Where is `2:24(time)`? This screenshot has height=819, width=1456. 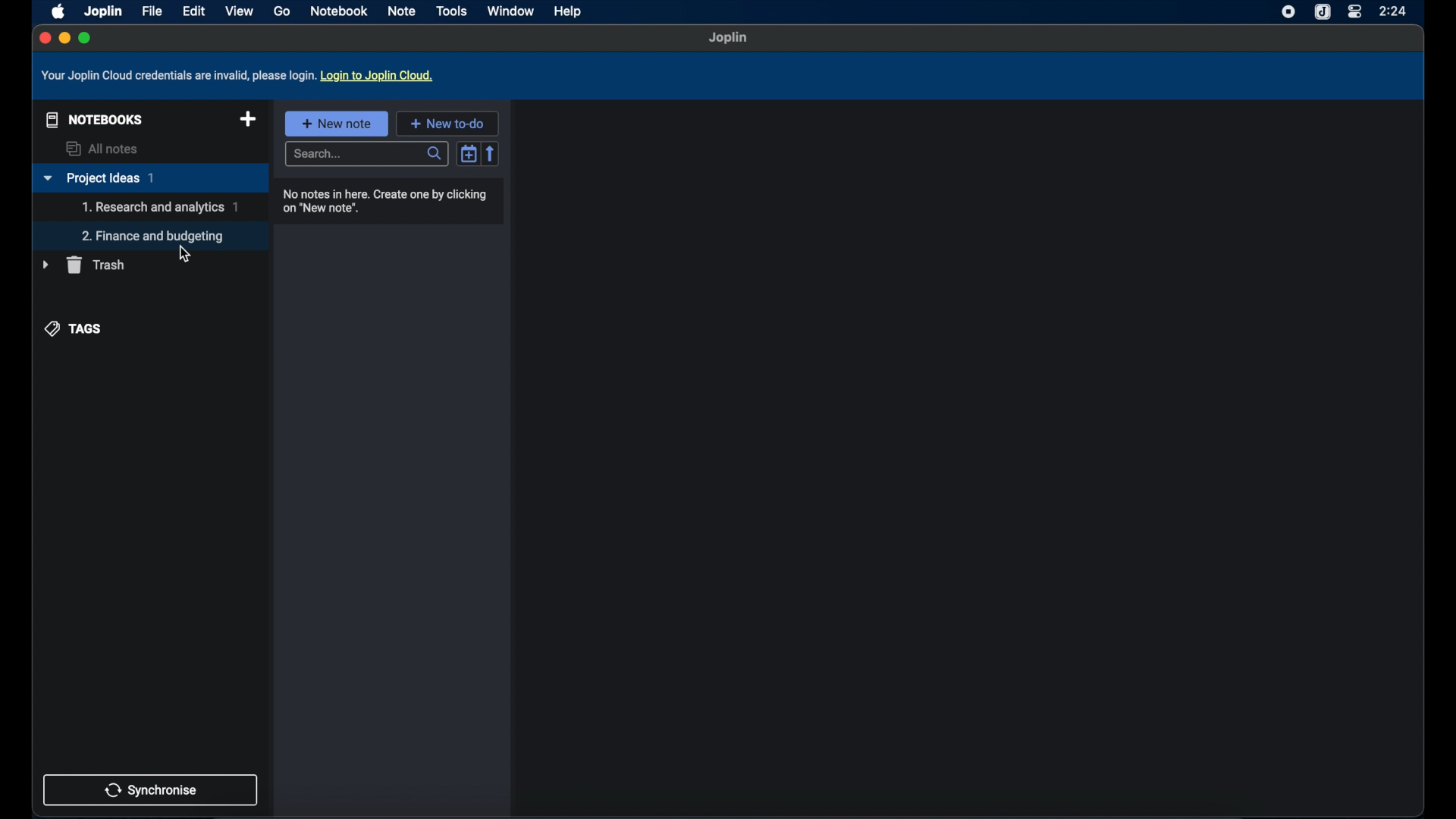 2:24(time) is located at coordinates (1395, 11).